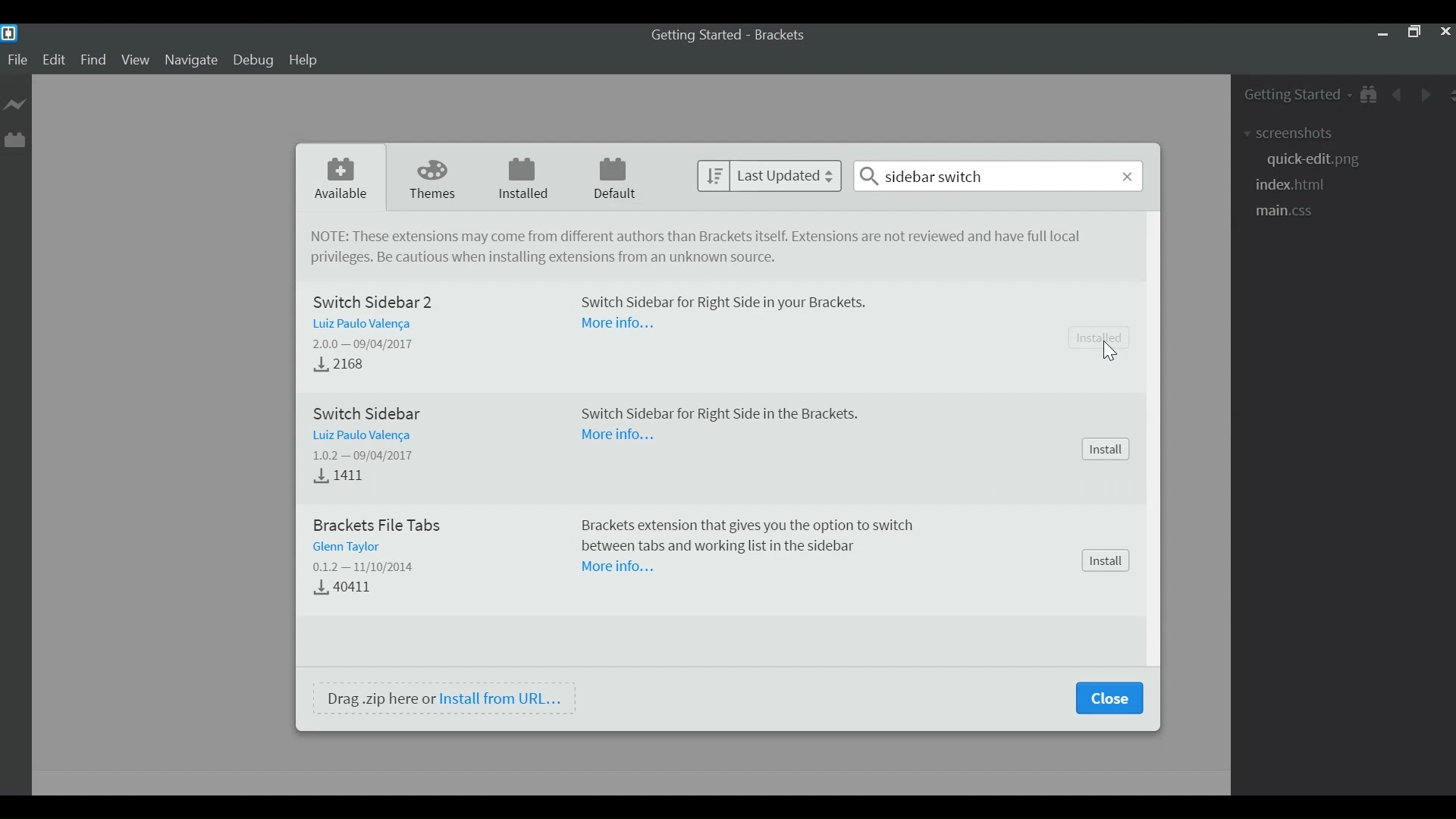  I want to click on index.html, so click(1291, 185).